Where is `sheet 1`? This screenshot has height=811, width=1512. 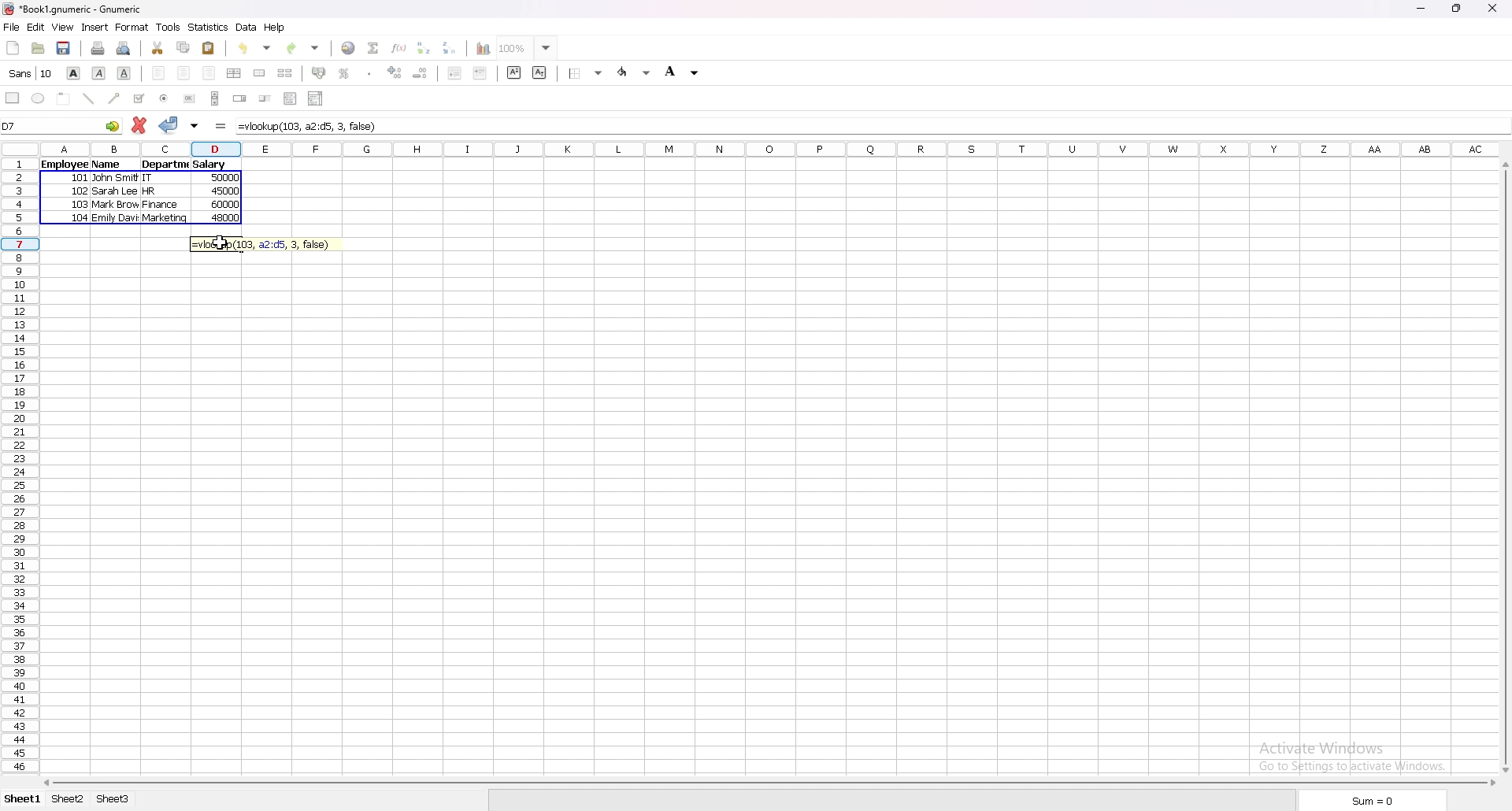
sheet 1 is located at coordinates (20, 800).